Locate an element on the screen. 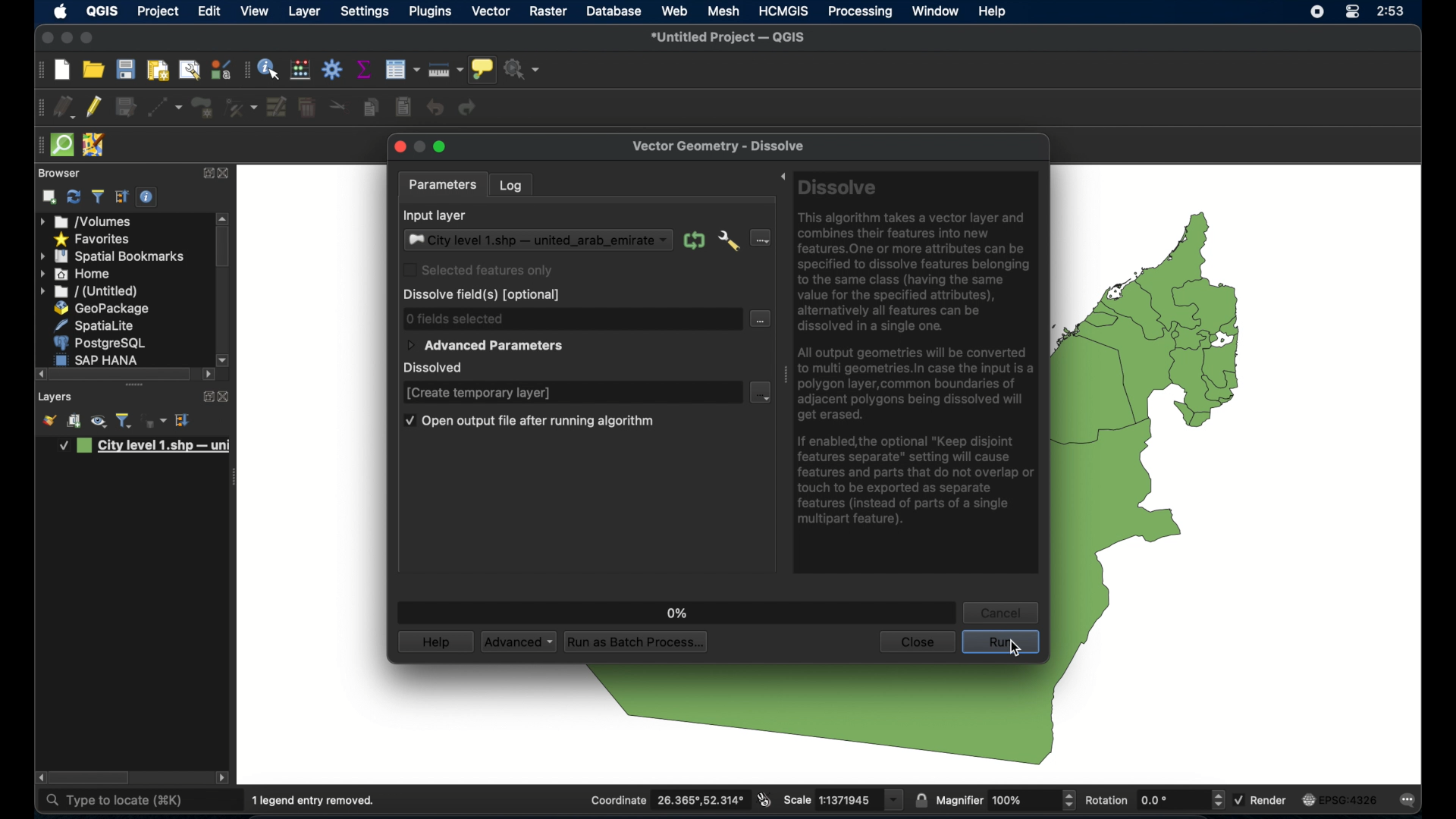 Image resolution: width=1456 pixels, height=819 pixels. favorites is located at coordinates (93, 240).